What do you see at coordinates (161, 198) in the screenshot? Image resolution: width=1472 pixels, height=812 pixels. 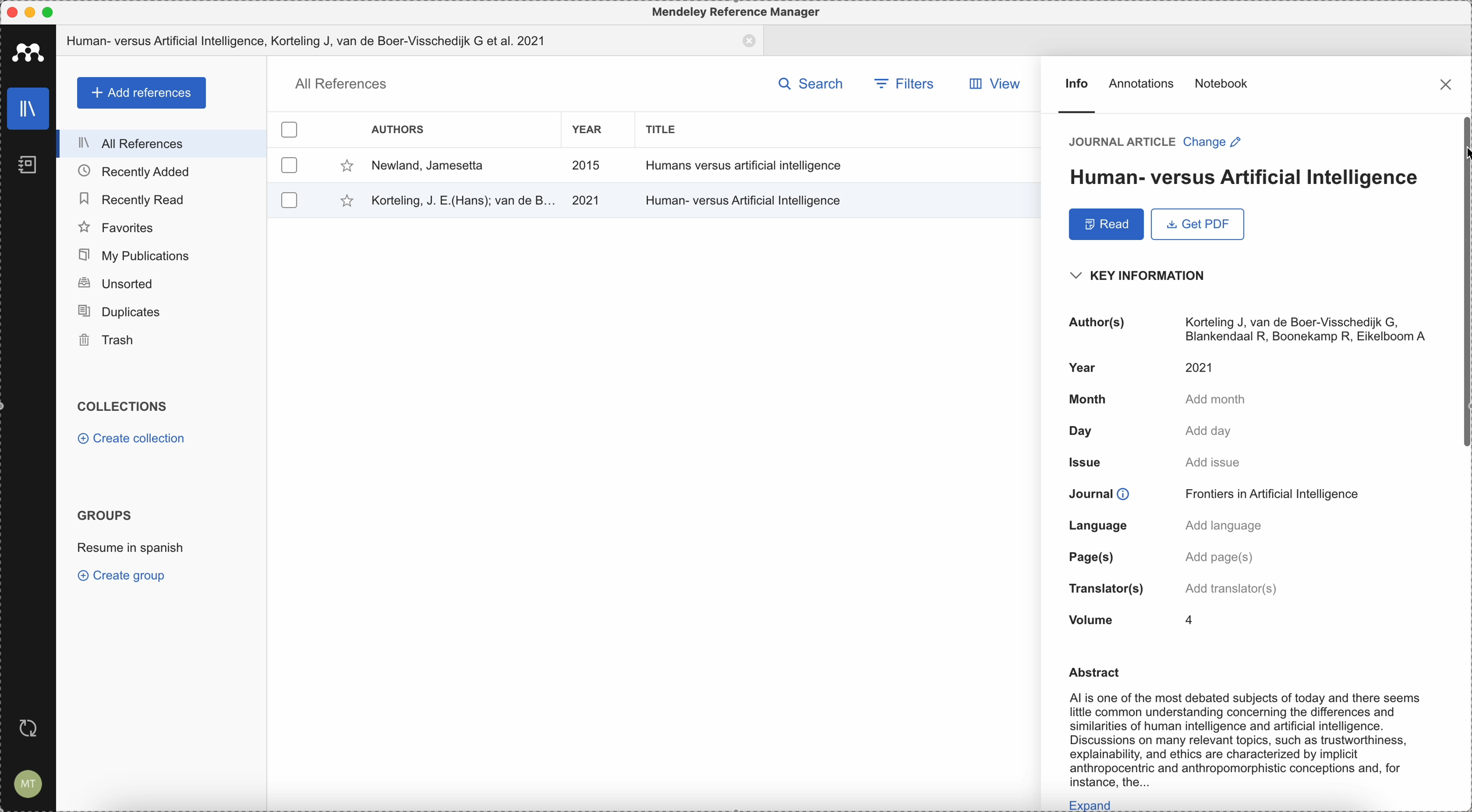 I see `recently read` at bounding box center [161, 198].